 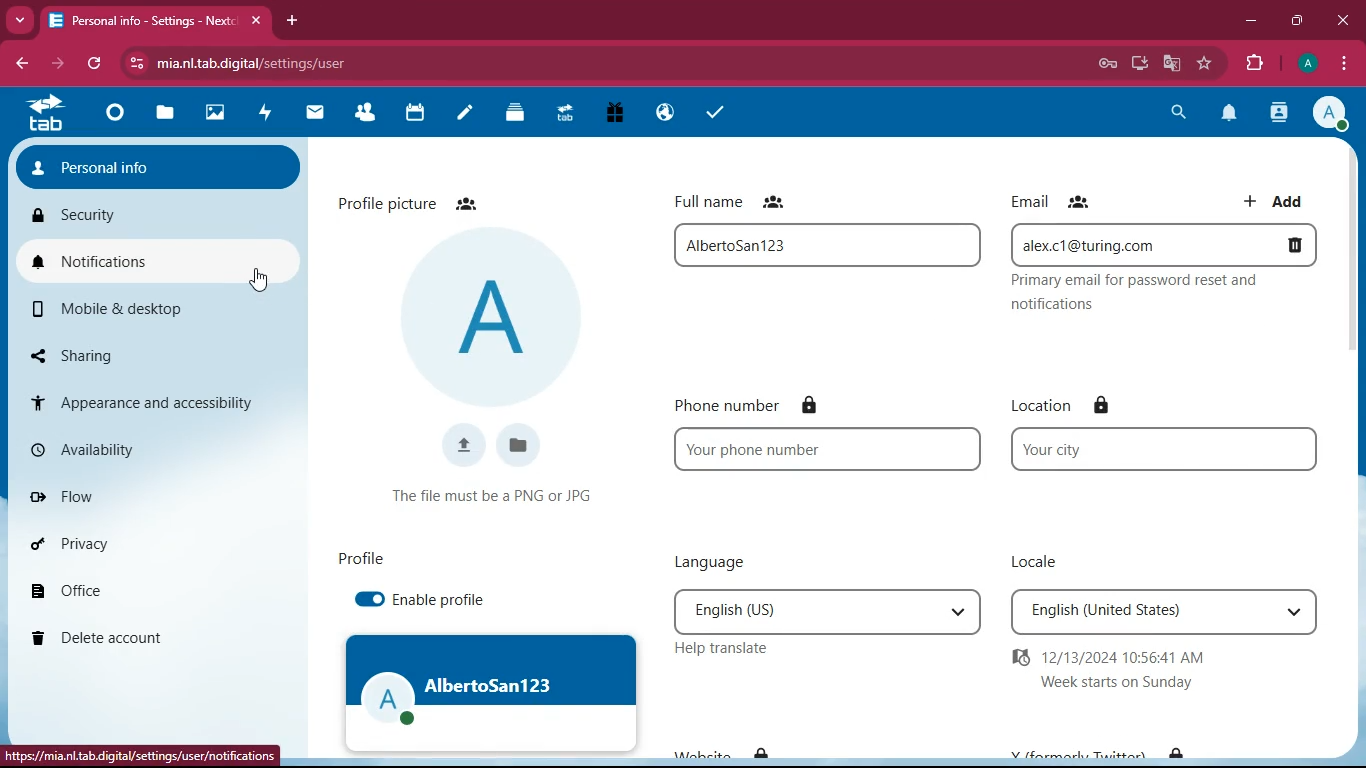 What do you see at coordinates (1102, 65) in the screenshot?
I see `password` at bounding box center [1102, 65].